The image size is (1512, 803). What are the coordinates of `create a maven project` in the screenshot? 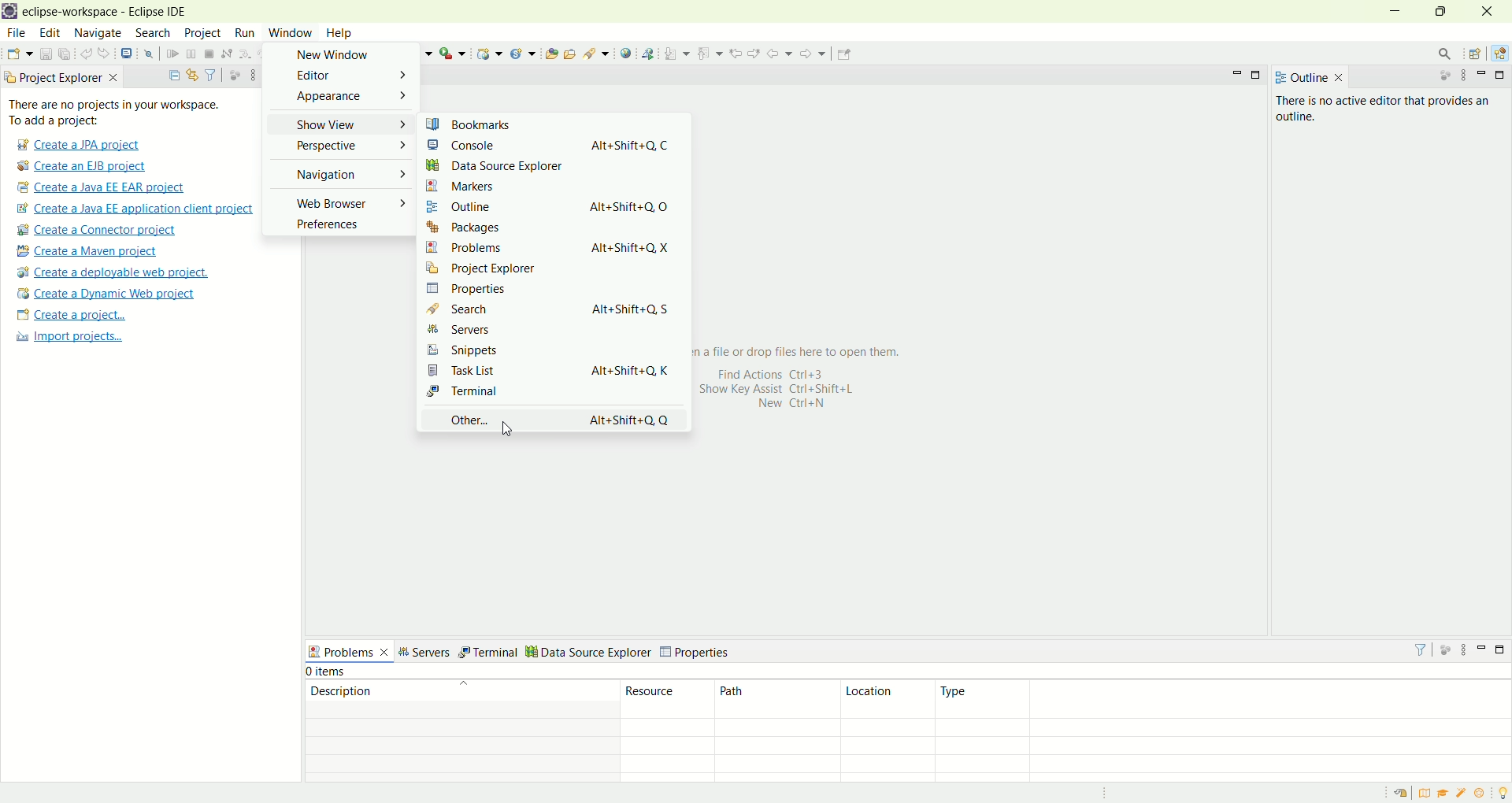 It's located at (94, 250).